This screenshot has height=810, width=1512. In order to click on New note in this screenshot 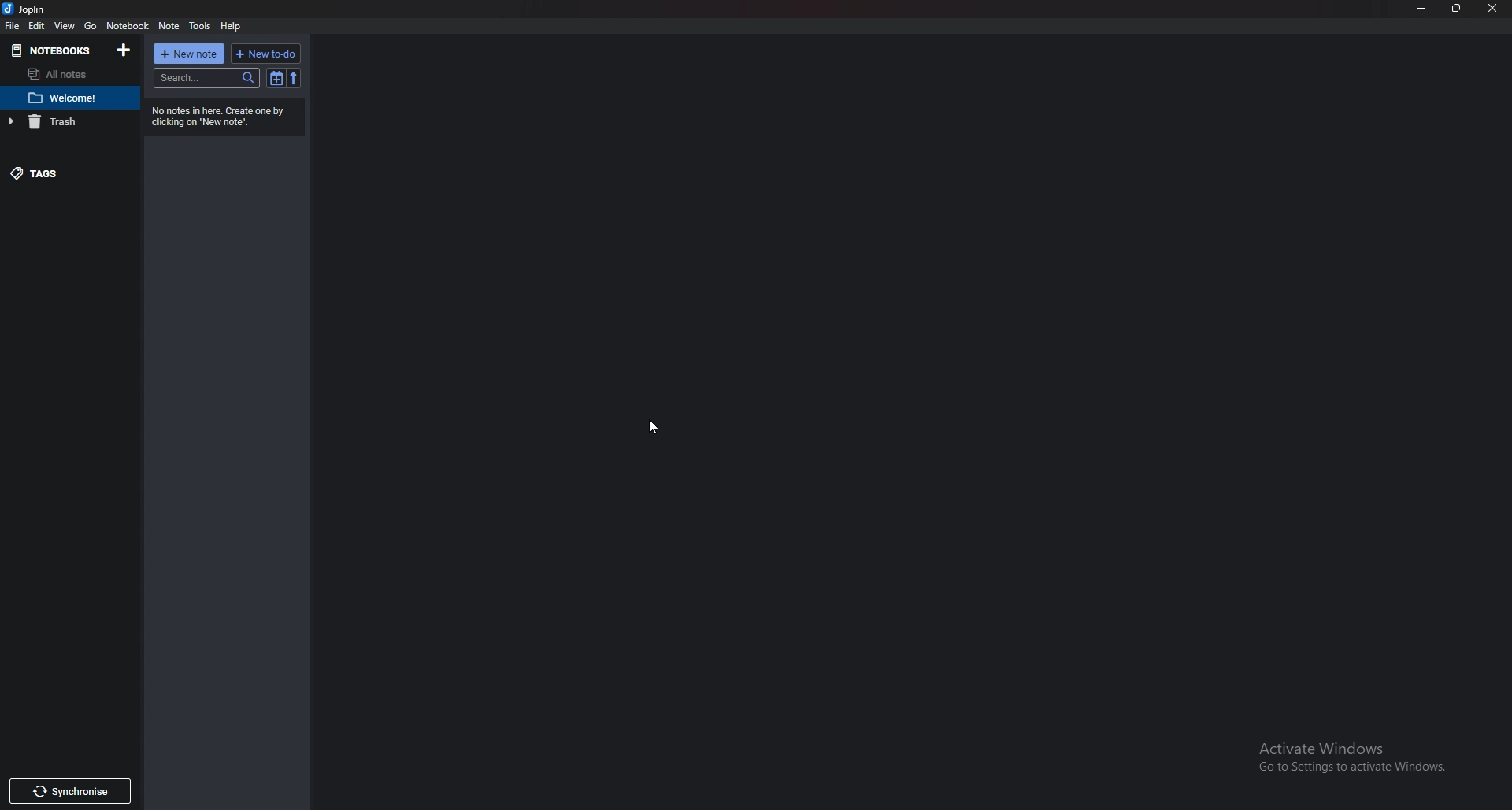, I will do `click(189, 54)`.